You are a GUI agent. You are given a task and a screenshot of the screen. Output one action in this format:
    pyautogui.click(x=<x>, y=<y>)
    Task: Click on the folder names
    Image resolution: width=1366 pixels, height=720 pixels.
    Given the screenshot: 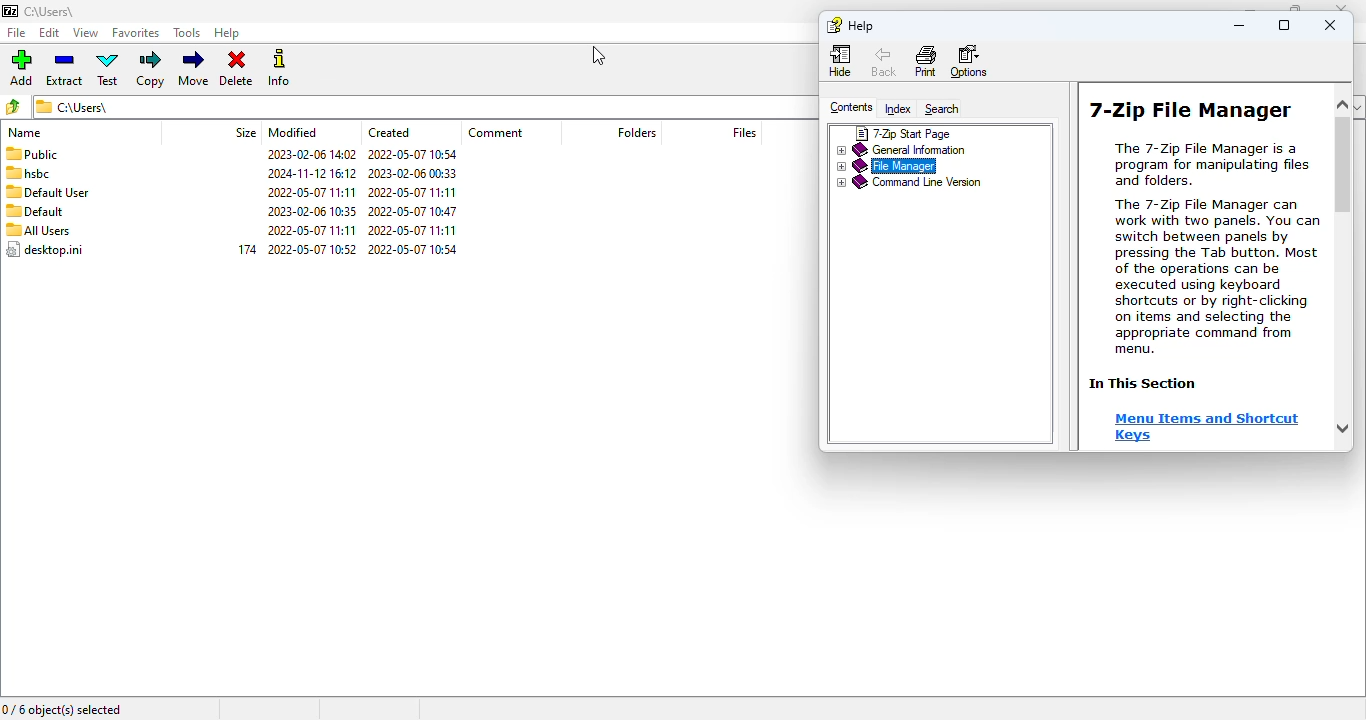 What is the action you would take?
    pyautogui.click(x=45, y=202)
    